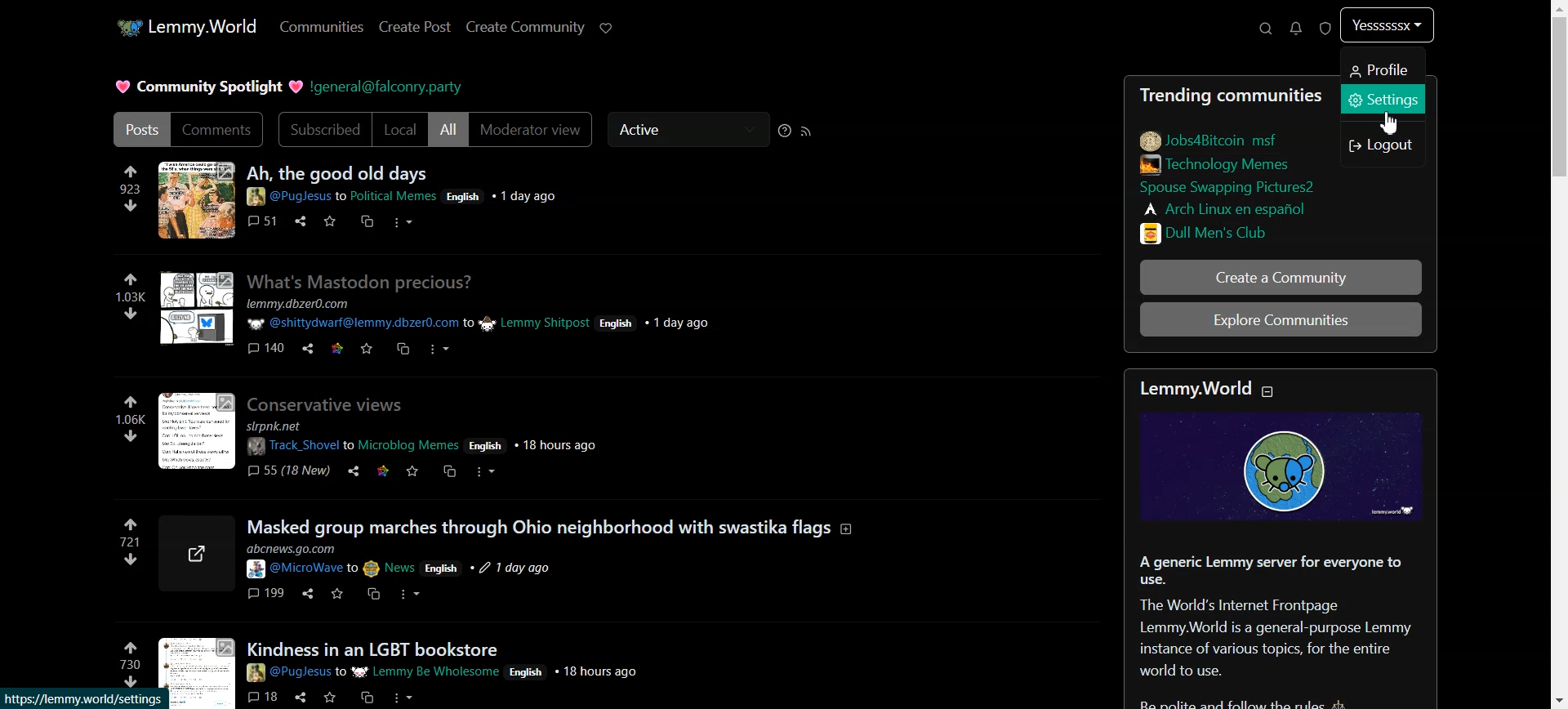 The width and height of the screenshot is (1568, 709). I want to click on link, so click(1222, 207).